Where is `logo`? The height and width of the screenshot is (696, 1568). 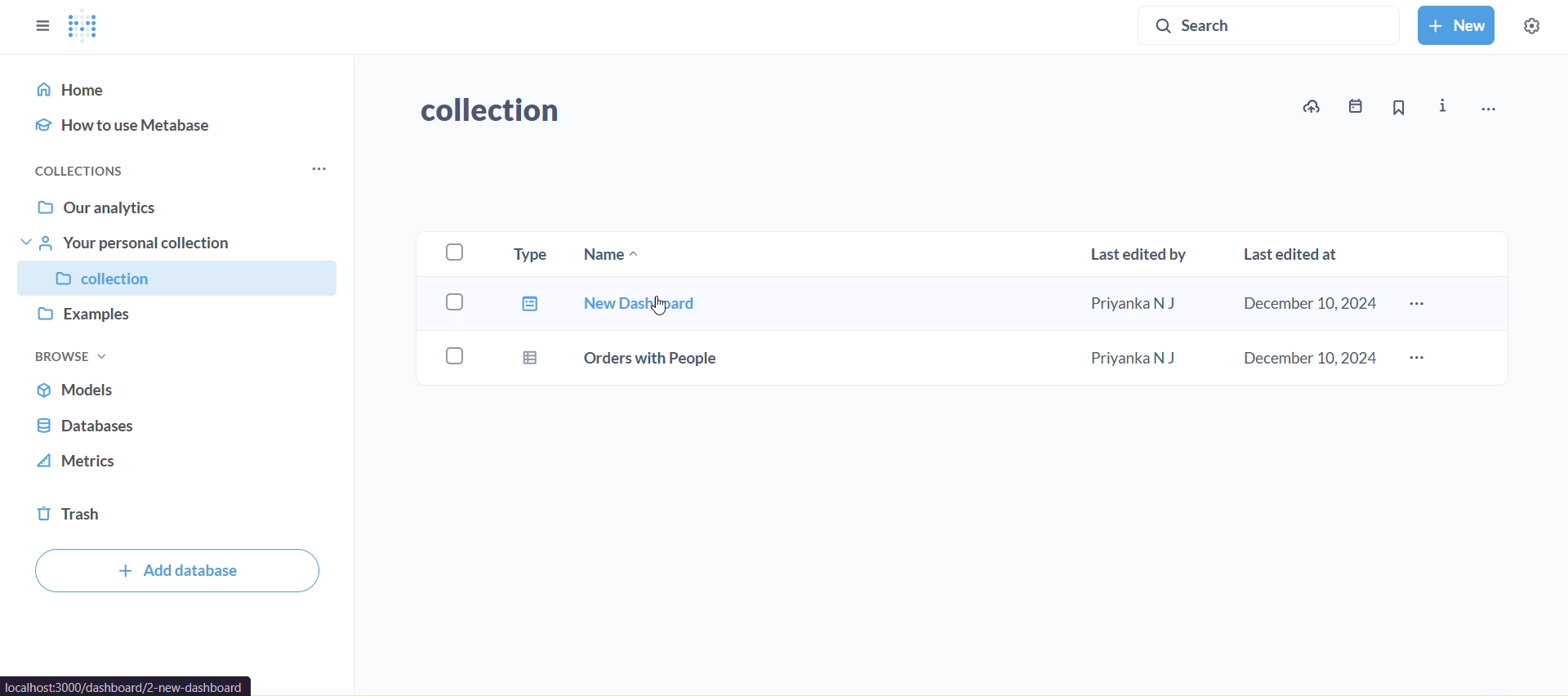 logo is located at coordinates (88, 28).